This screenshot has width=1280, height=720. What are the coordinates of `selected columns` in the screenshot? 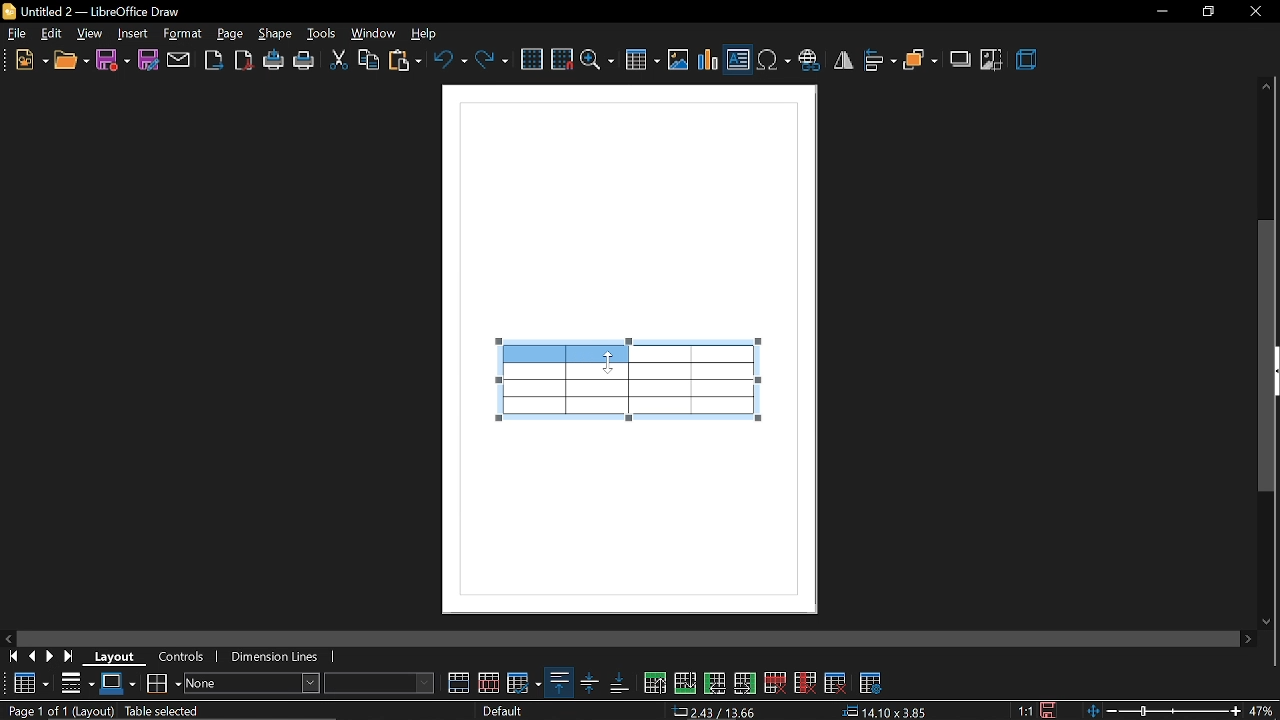 It's located at (570, 359).